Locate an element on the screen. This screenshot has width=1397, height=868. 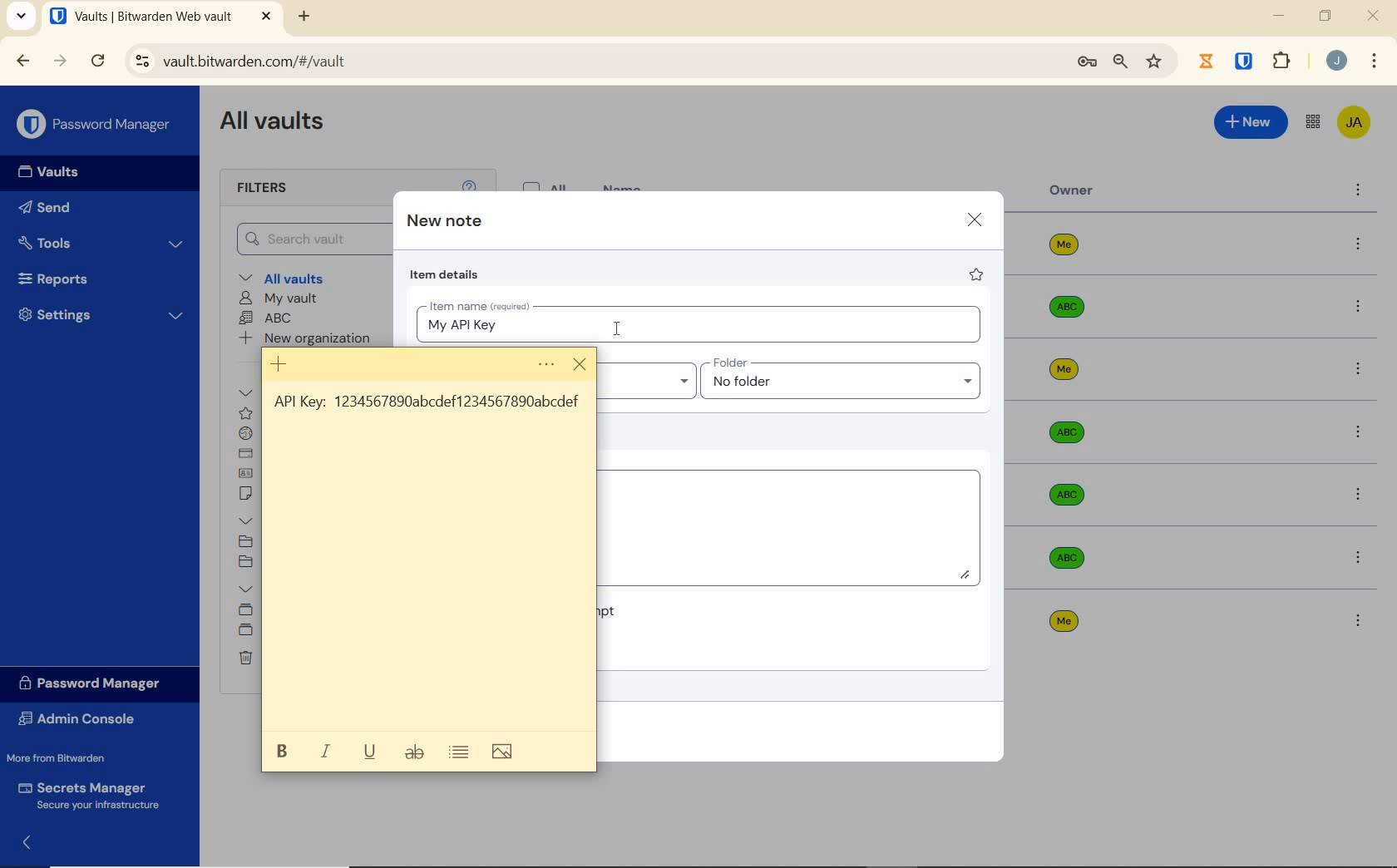
Vaults is located at coordinates (57, 174).